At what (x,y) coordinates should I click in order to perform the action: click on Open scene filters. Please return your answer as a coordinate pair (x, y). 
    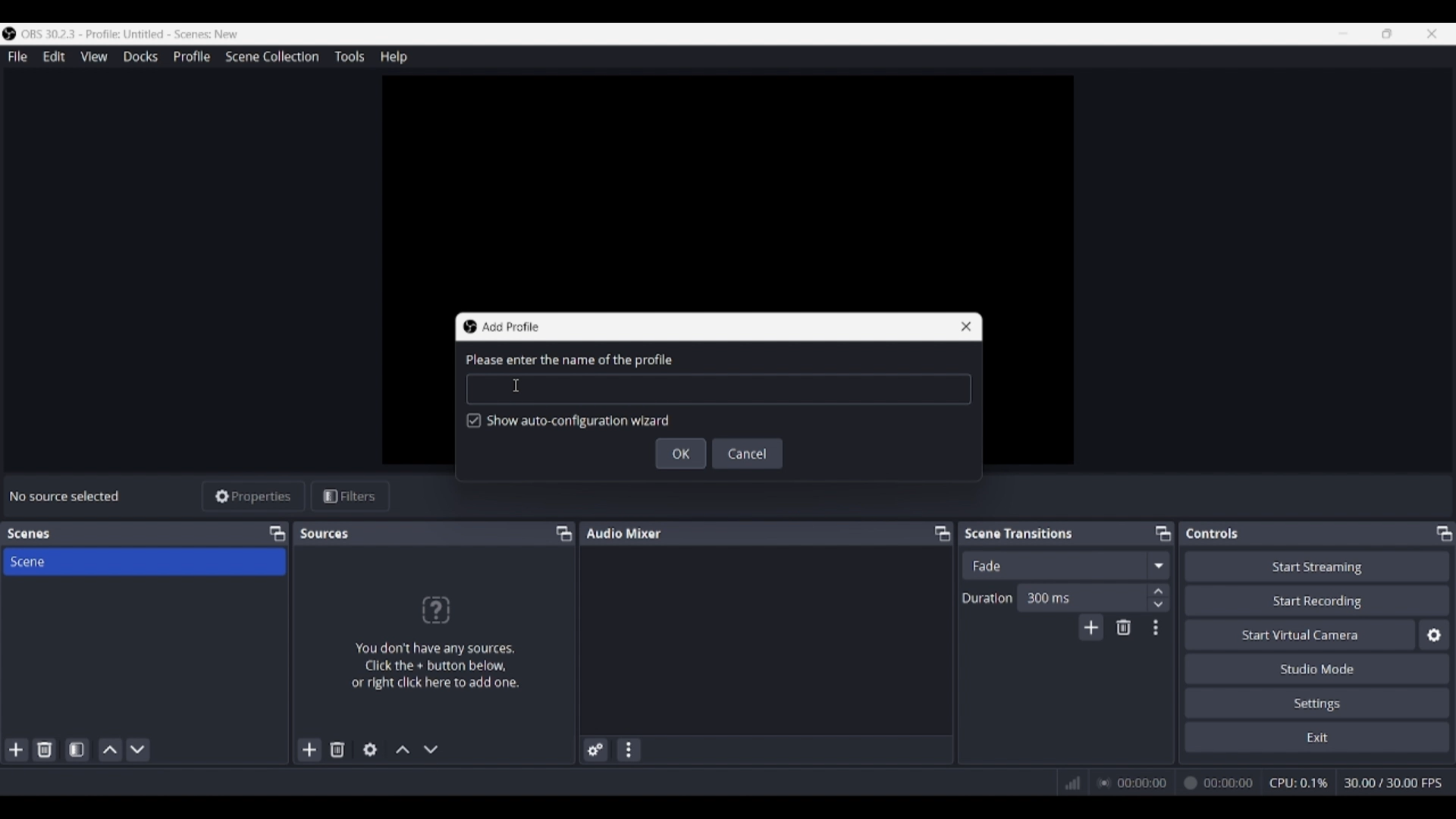
    Looking at the image, I should click on (77, 749).